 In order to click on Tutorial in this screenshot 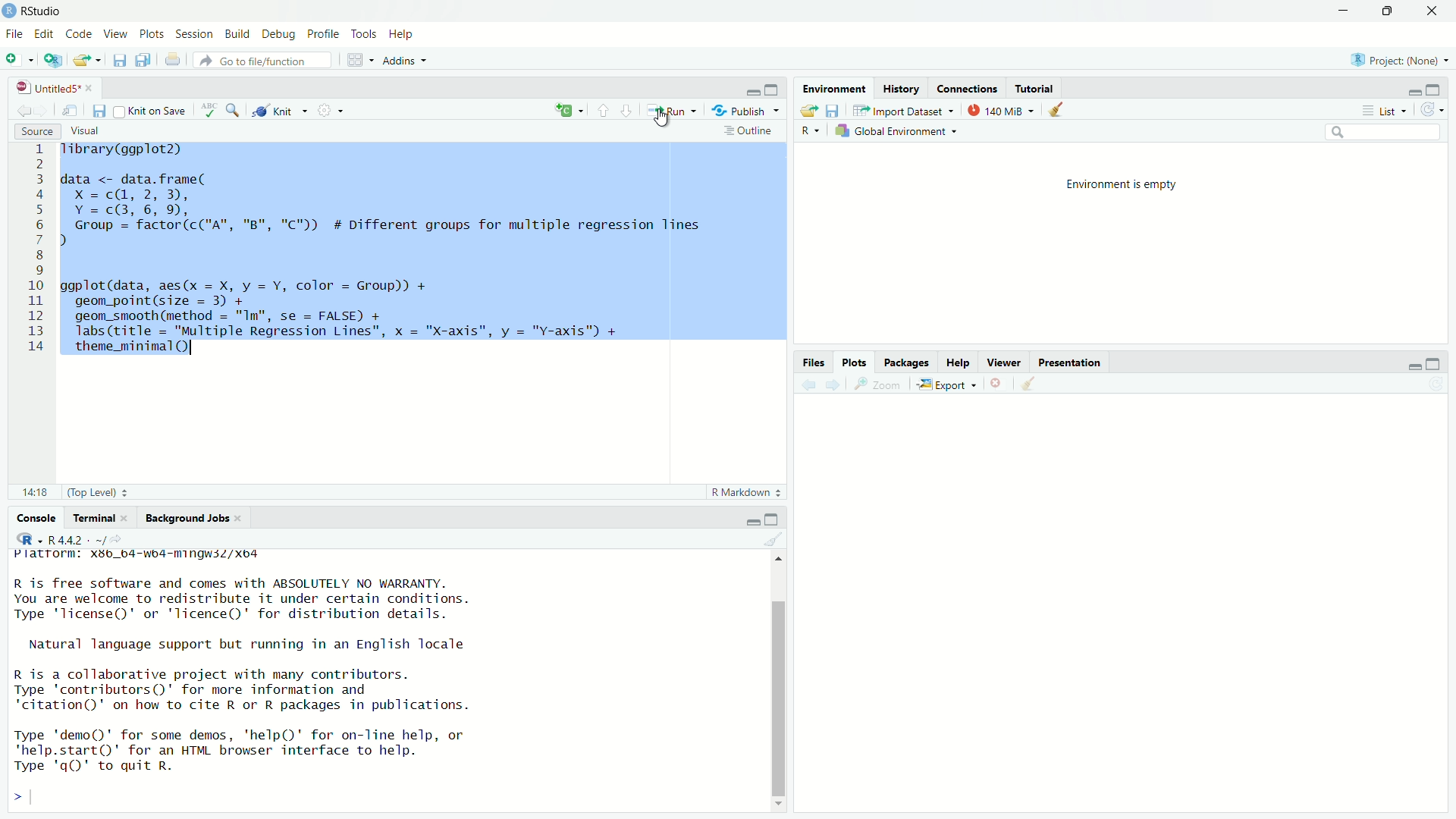, I will do `click(1040, 86)`.